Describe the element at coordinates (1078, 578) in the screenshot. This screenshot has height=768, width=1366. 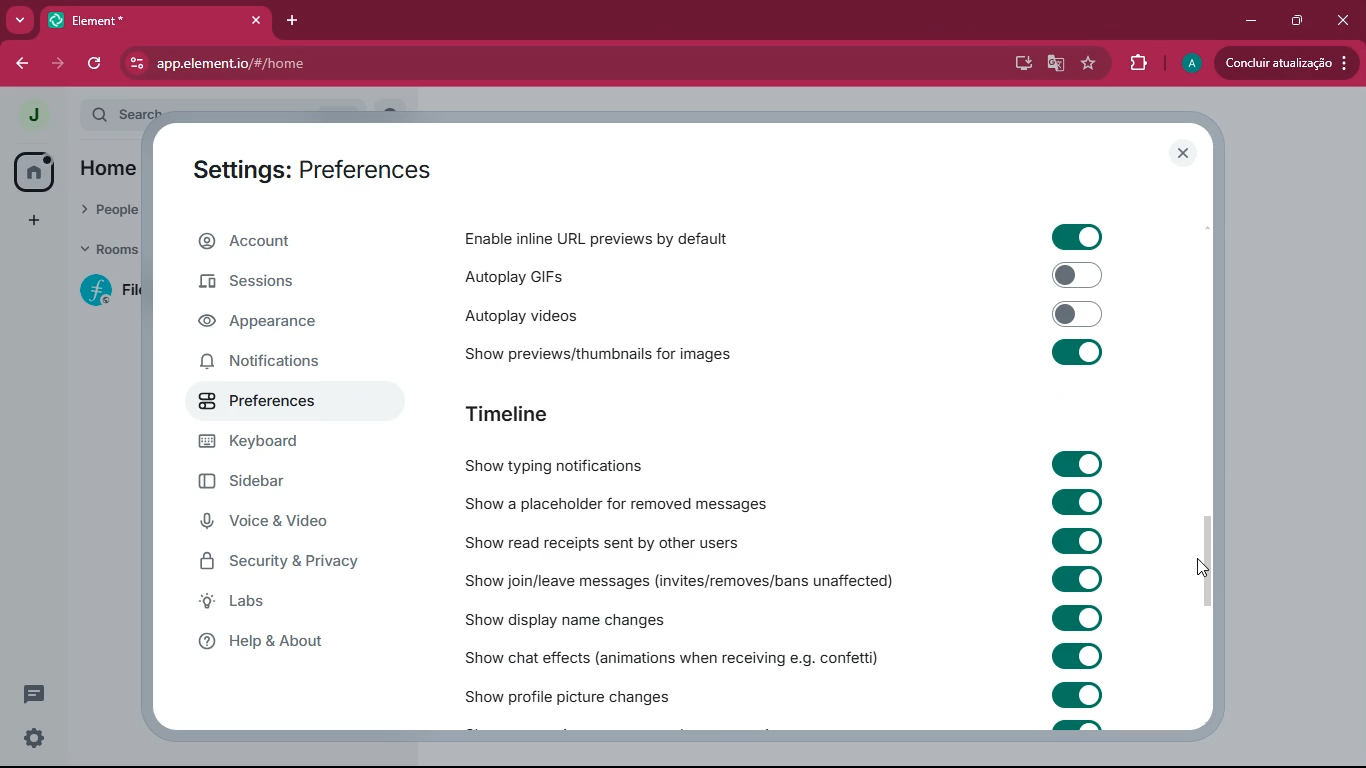
I see `toggle on/off` at that location.